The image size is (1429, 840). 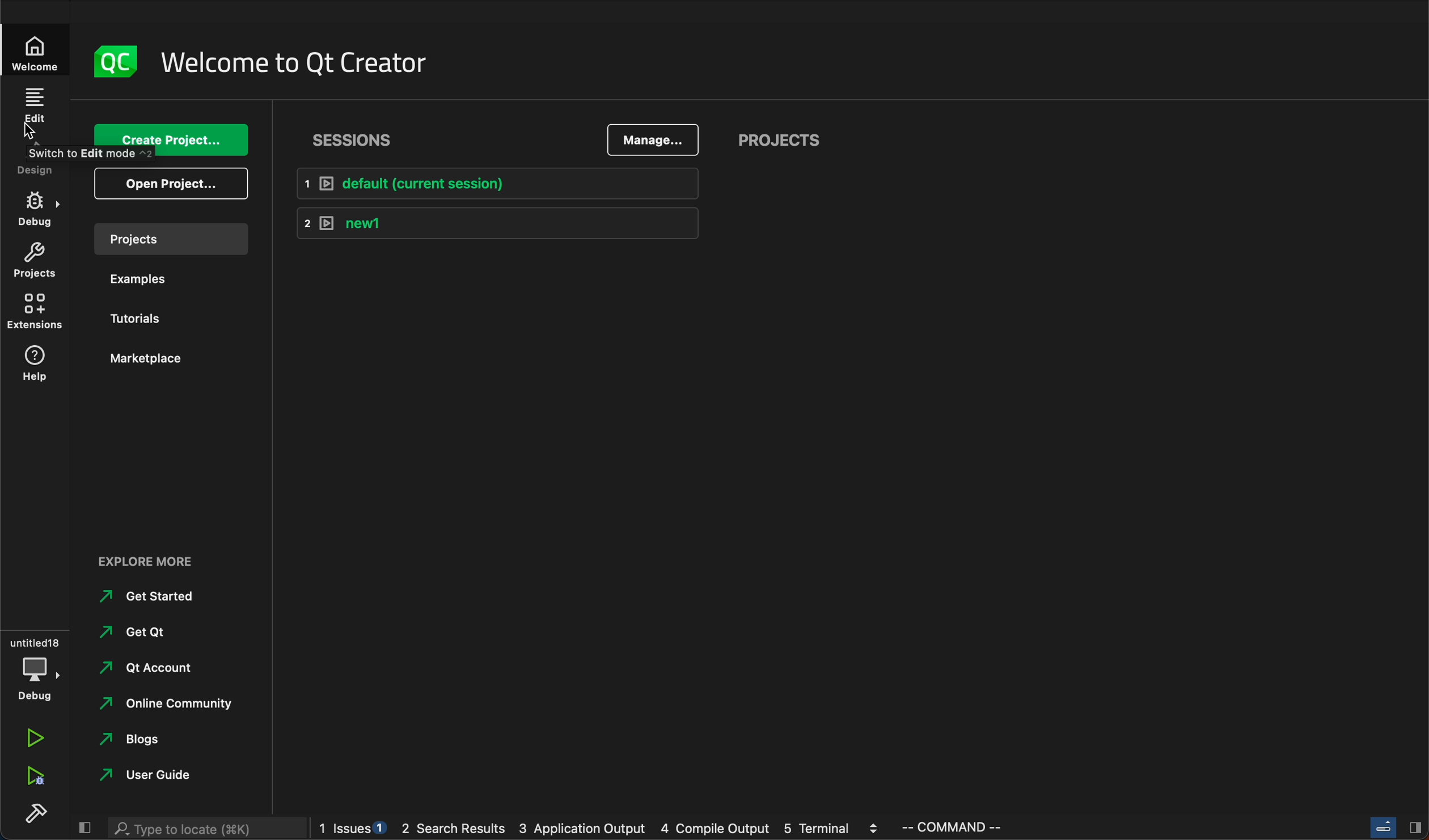 What do you see at coordinates (135, 628) in the screenshot?
I see `get Qt` at bounding box center [135, 628].